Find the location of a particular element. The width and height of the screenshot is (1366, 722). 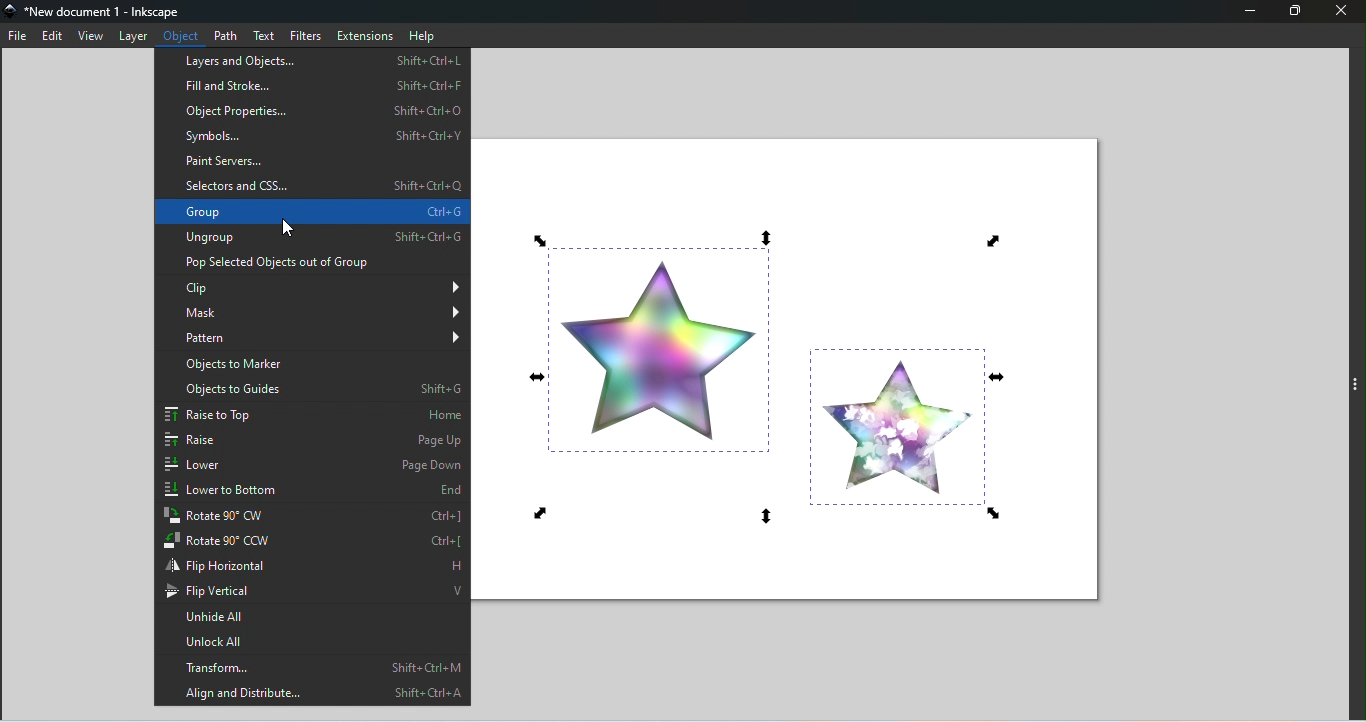

Pop selected objects out of group is located at coordinates (309, 264).